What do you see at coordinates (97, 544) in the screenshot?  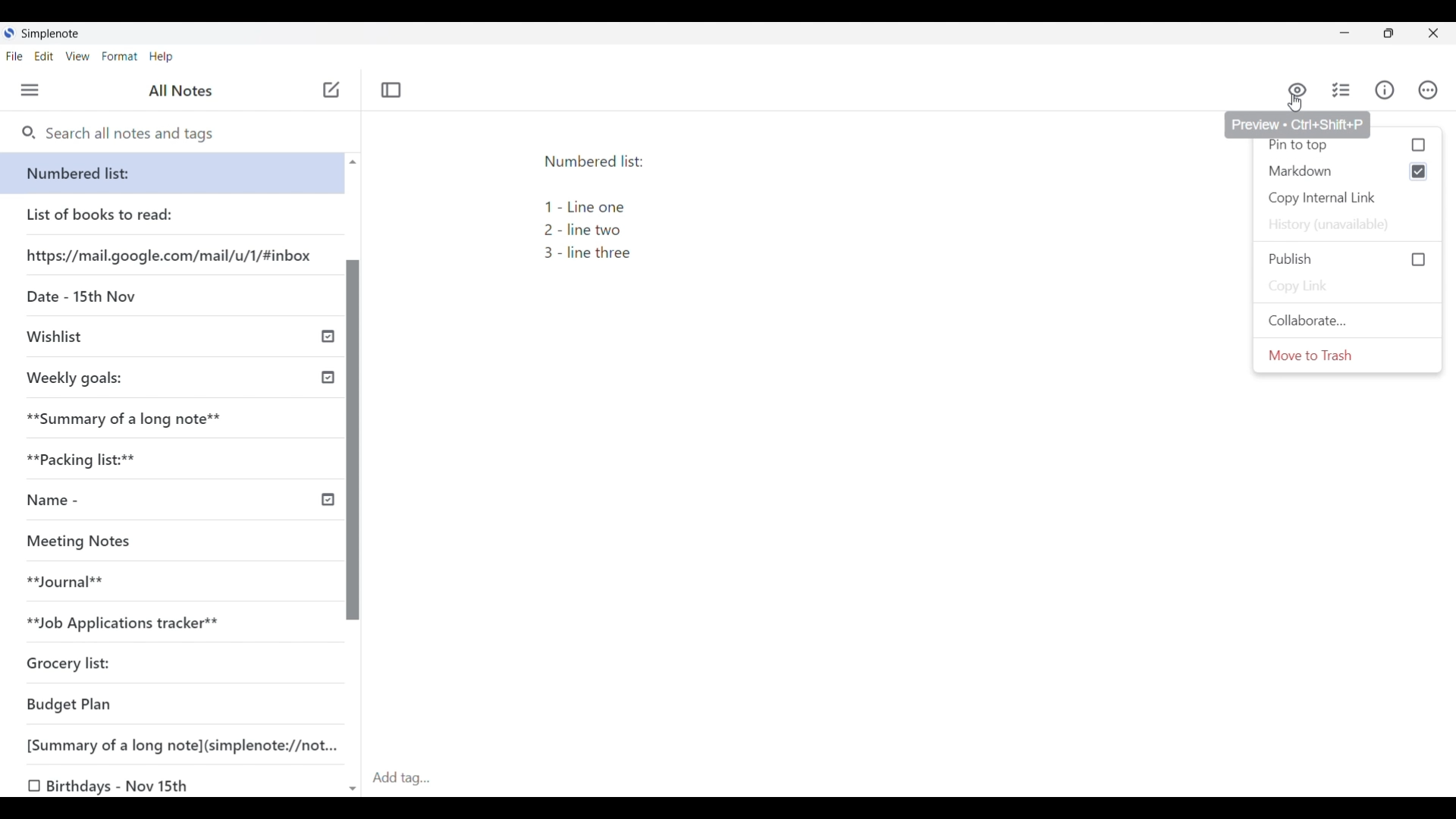 I see `Meeting Notes` at bounding box center [97, 544].